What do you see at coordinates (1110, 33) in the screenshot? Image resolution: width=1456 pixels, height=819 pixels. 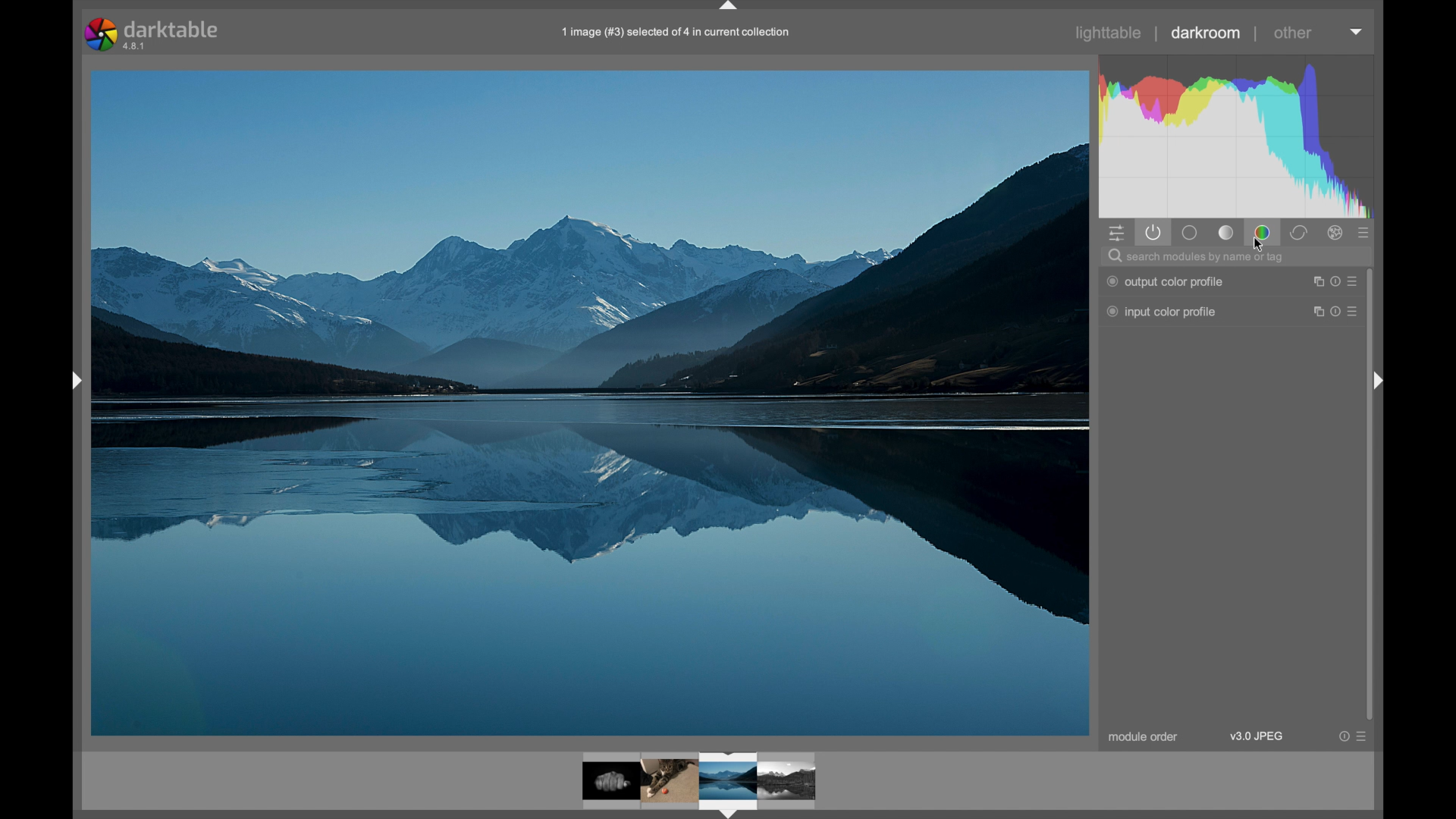 I see `lighttable` at bounding box center [1110, 33].